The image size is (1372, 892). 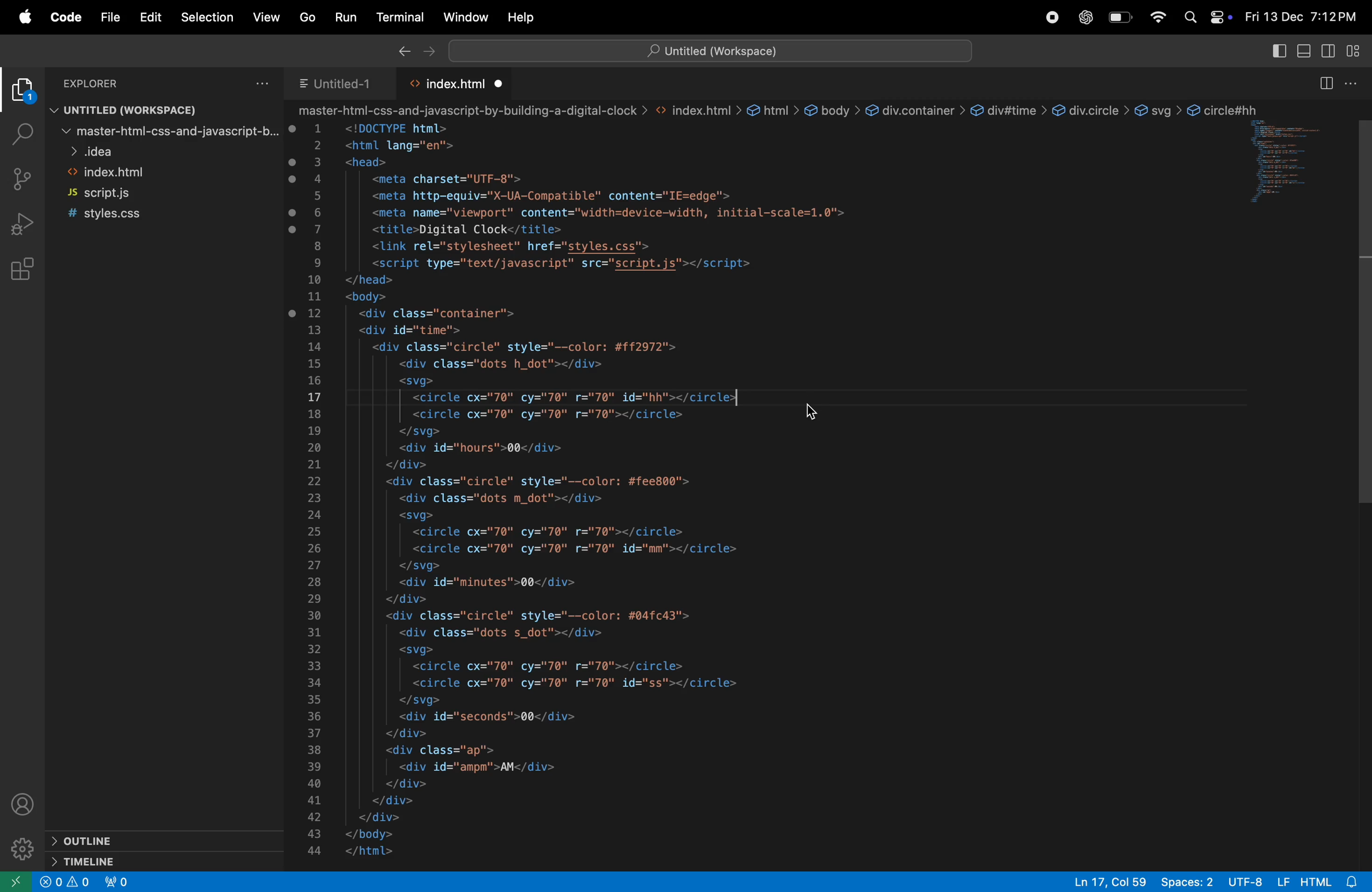 I want to click on index.html, so click(x=156, y=173).